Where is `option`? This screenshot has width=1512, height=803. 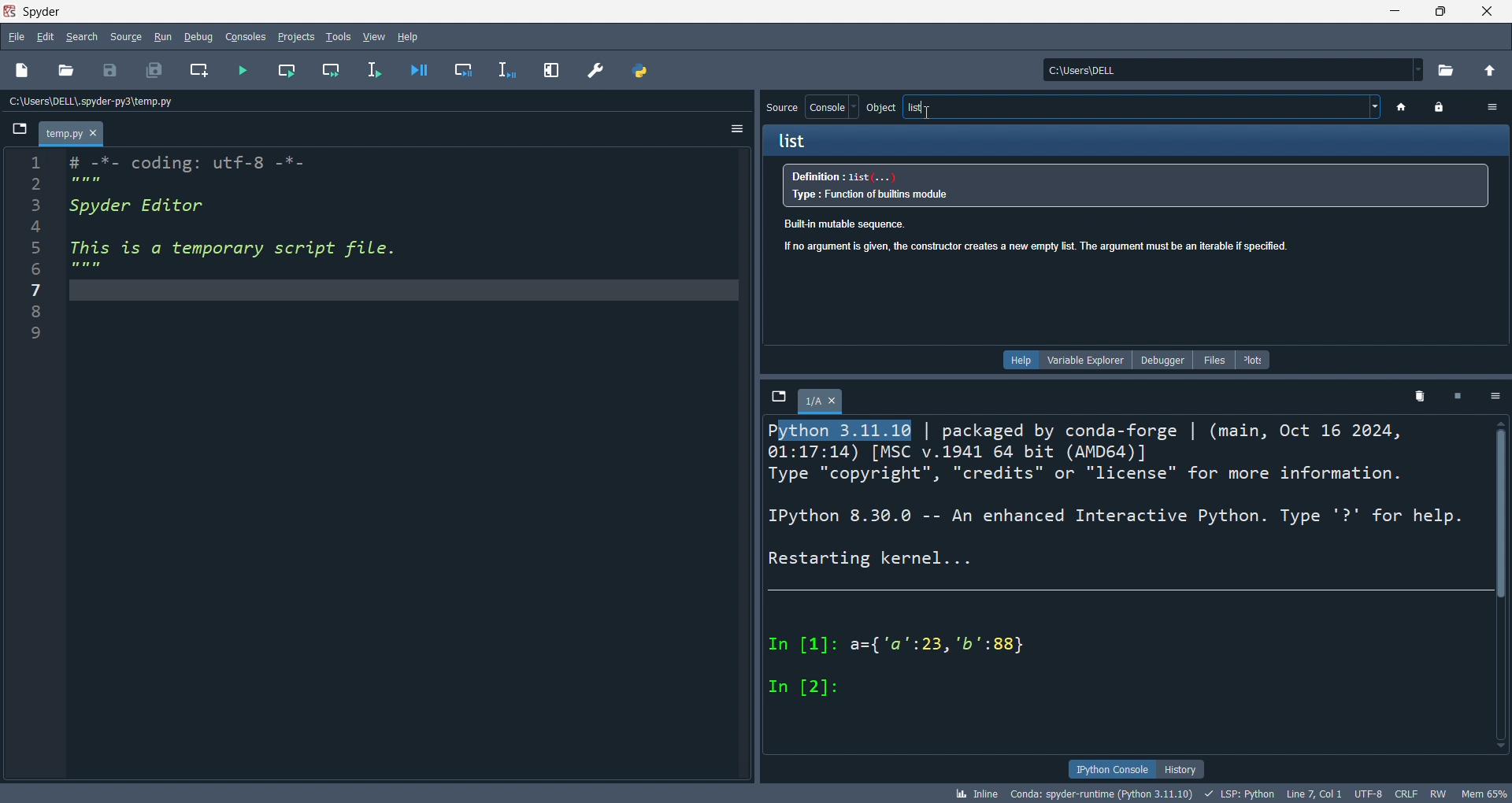
option is located at coordinates (1484, 107).